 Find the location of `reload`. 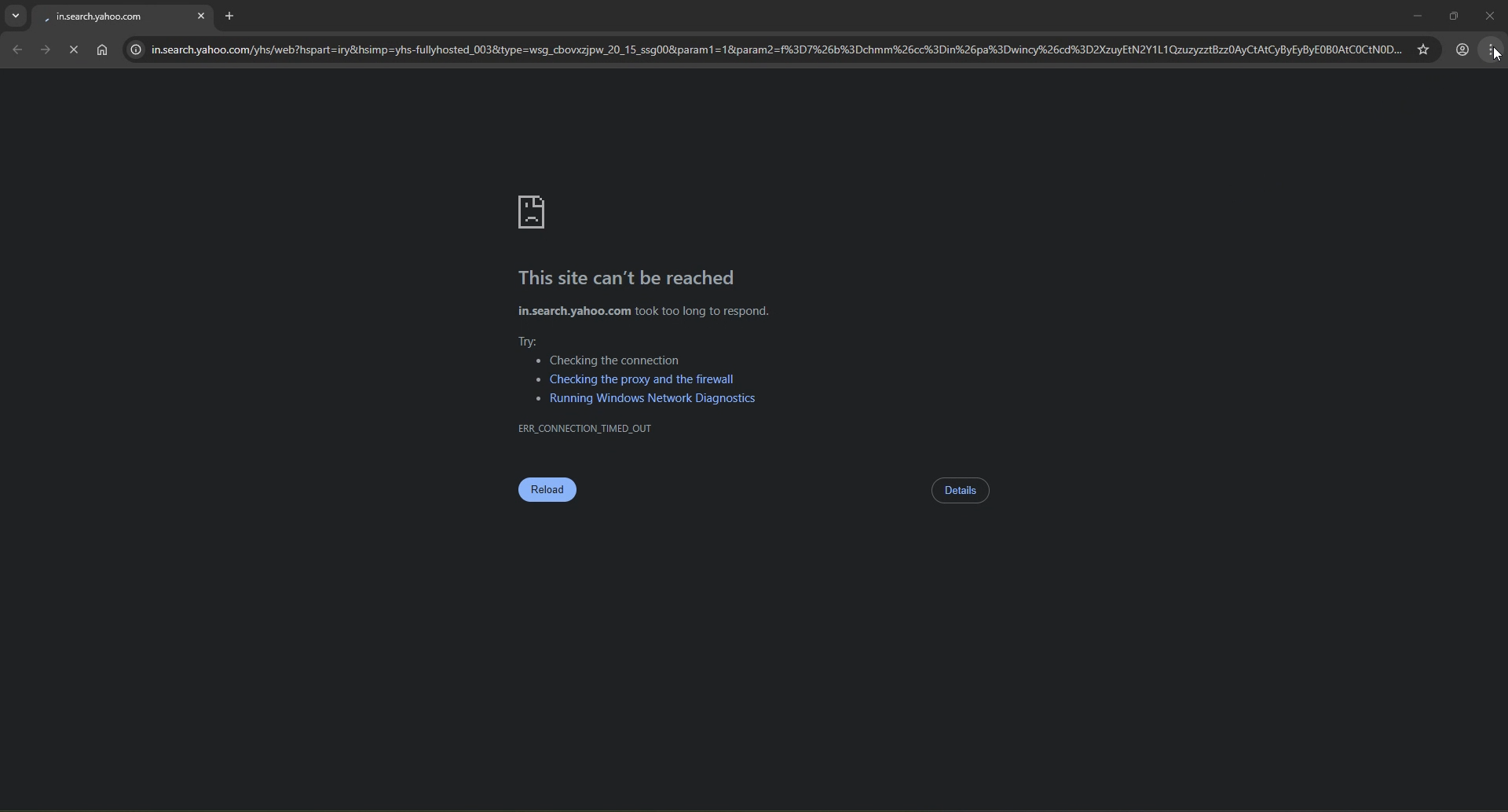

reload is located at coordinates (547, 492).